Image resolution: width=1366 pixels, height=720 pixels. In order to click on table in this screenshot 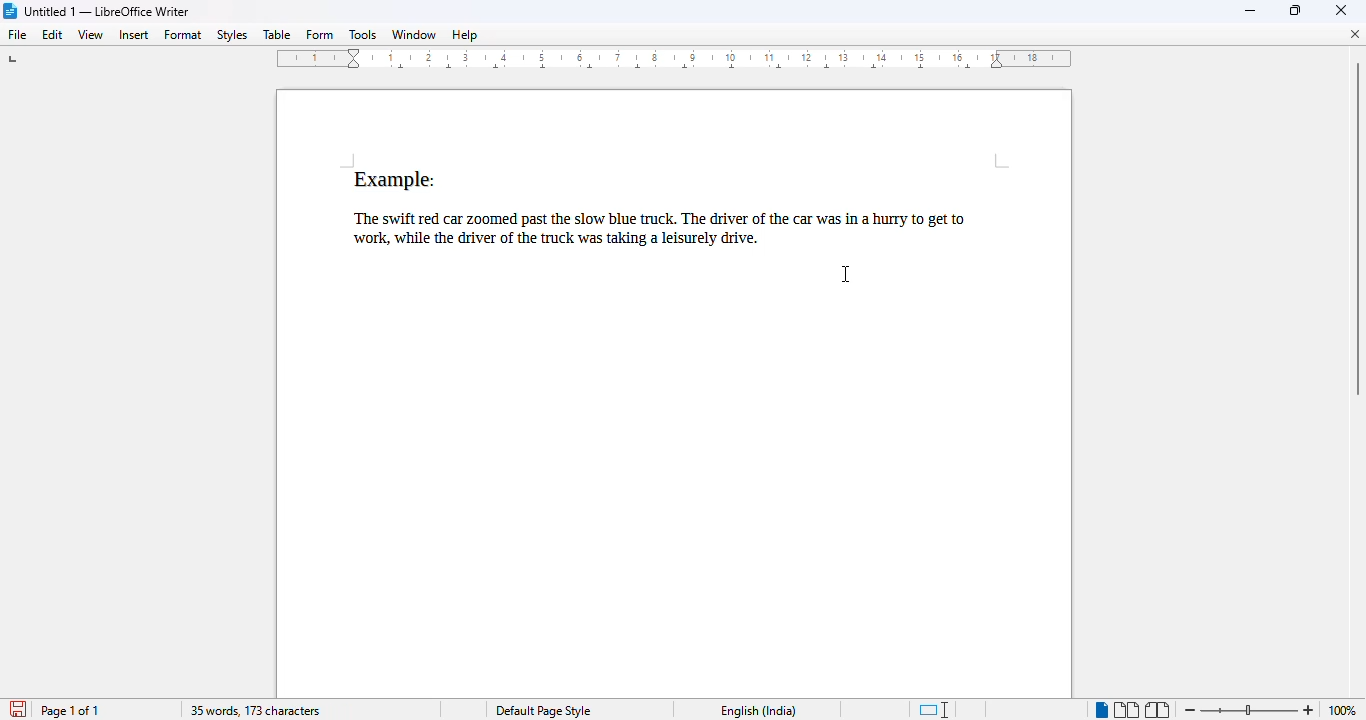, I will do `click(277, 35)`.